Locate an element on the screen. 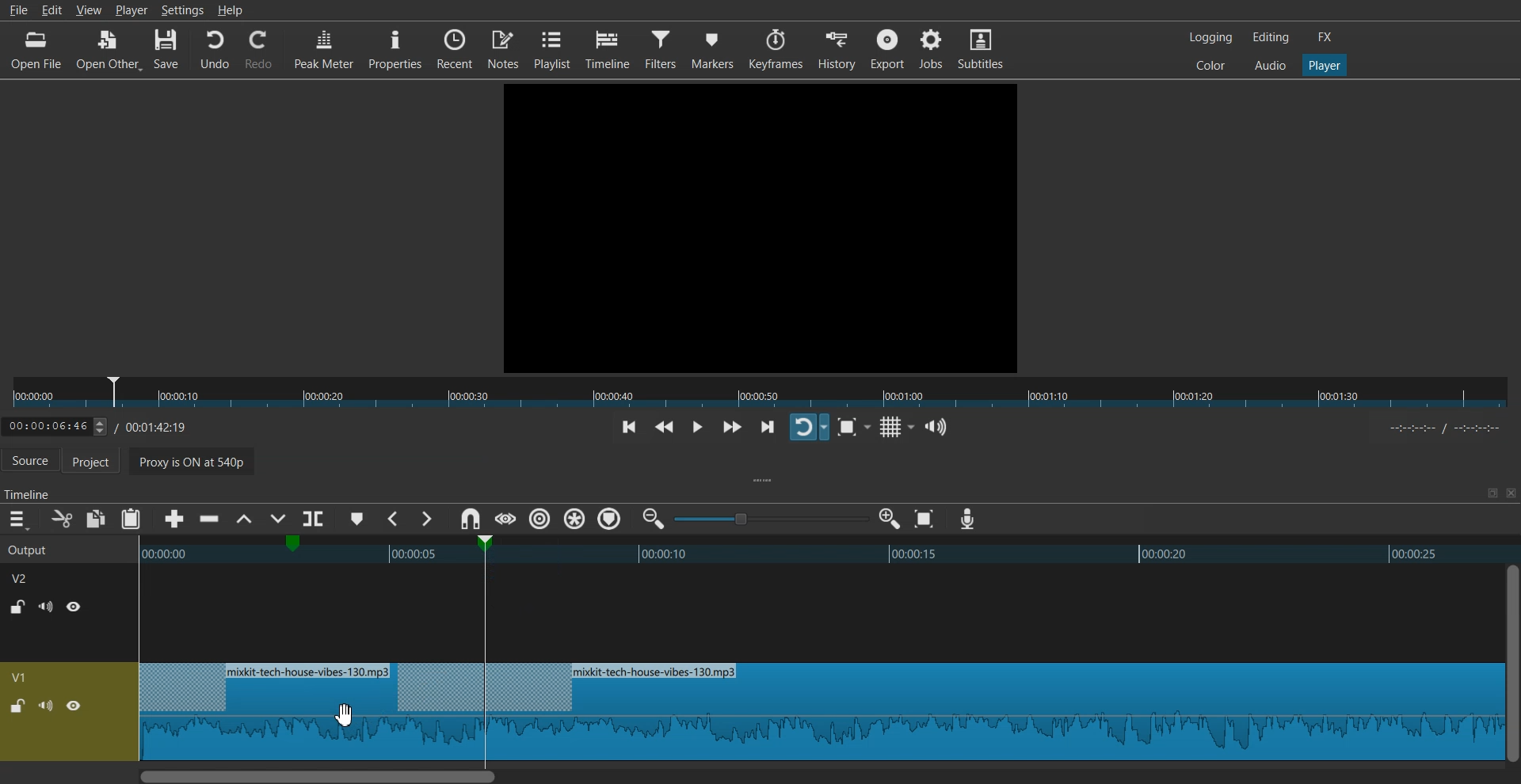 This screenshot has height=784, width=1521. Add marker is located at coordinates (357, 519).